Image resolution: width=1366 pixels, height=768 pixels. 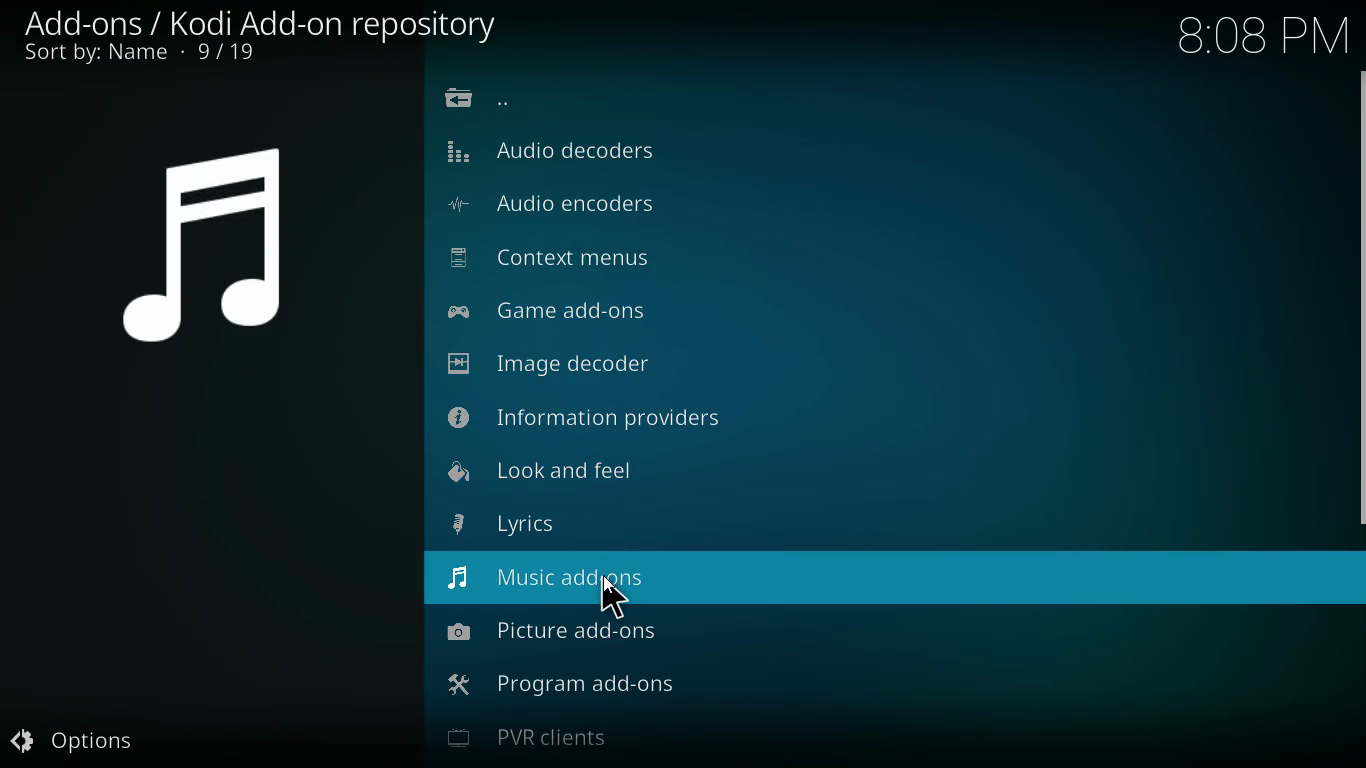 I want to click on Cursor, so click(x=615, y=599).